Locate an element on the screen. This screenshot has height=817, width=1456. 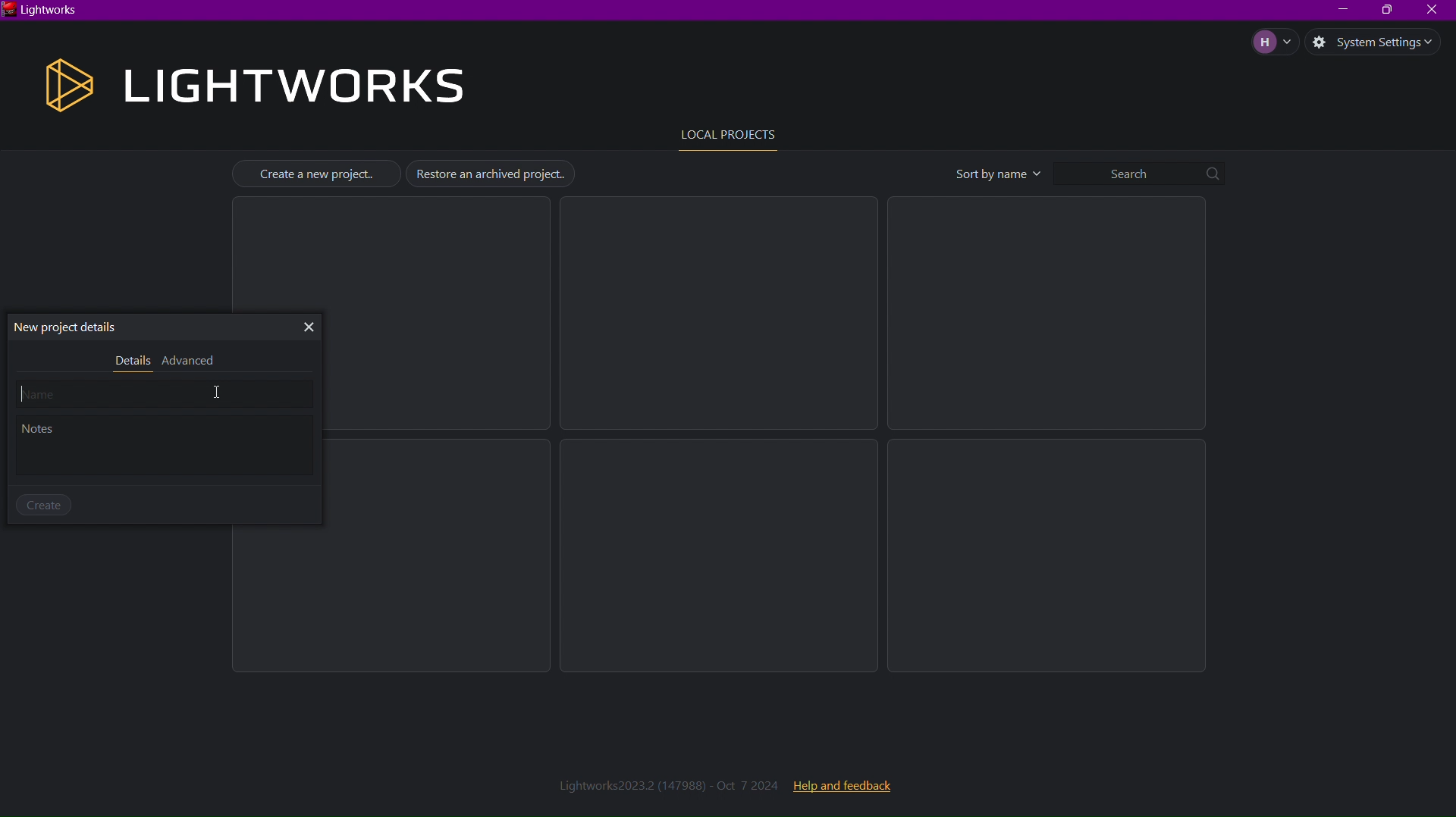
Create is located at coordinates (42, 505).